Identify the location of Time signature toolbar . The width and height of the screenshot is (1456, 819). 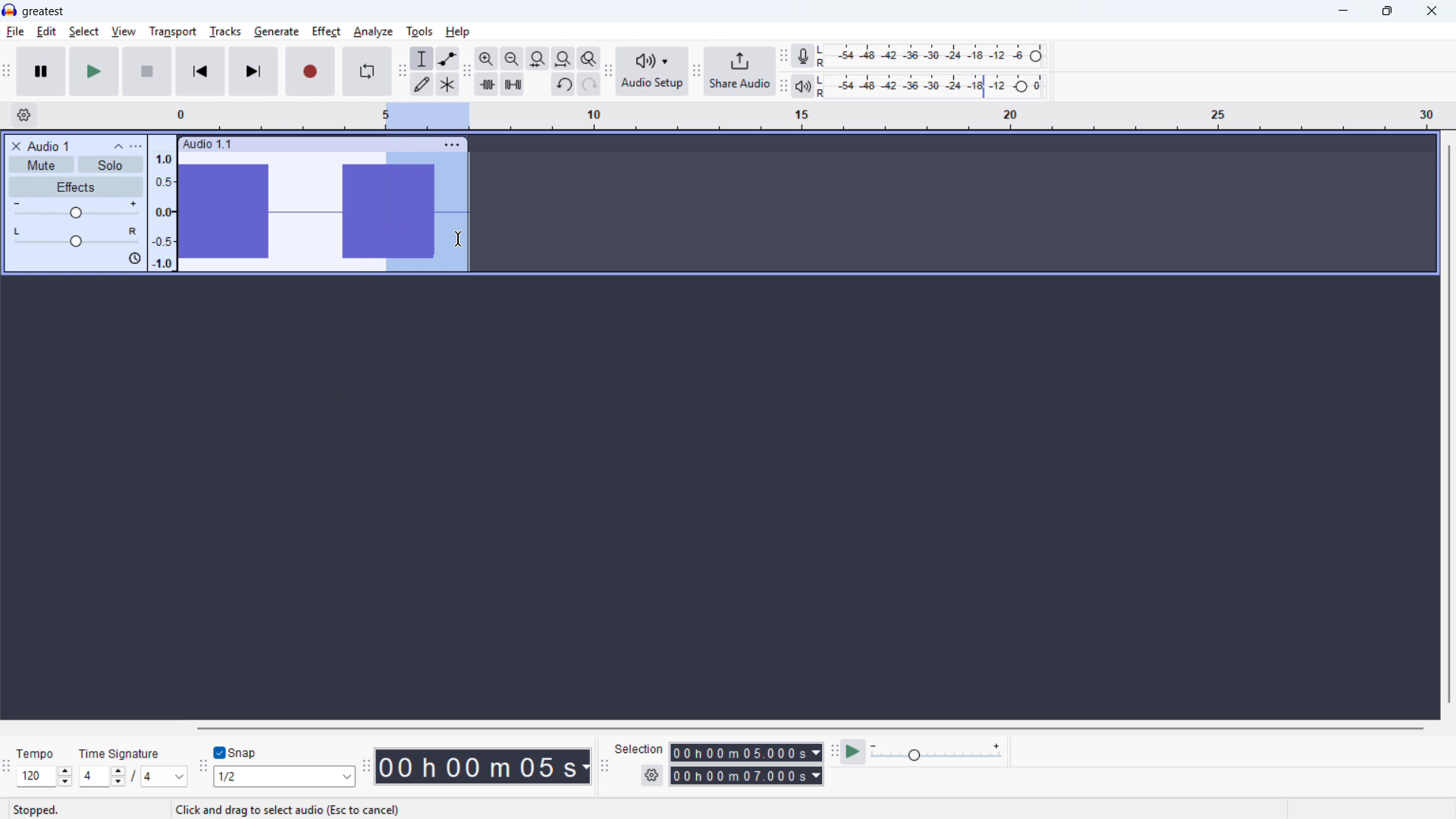
(8, 770).